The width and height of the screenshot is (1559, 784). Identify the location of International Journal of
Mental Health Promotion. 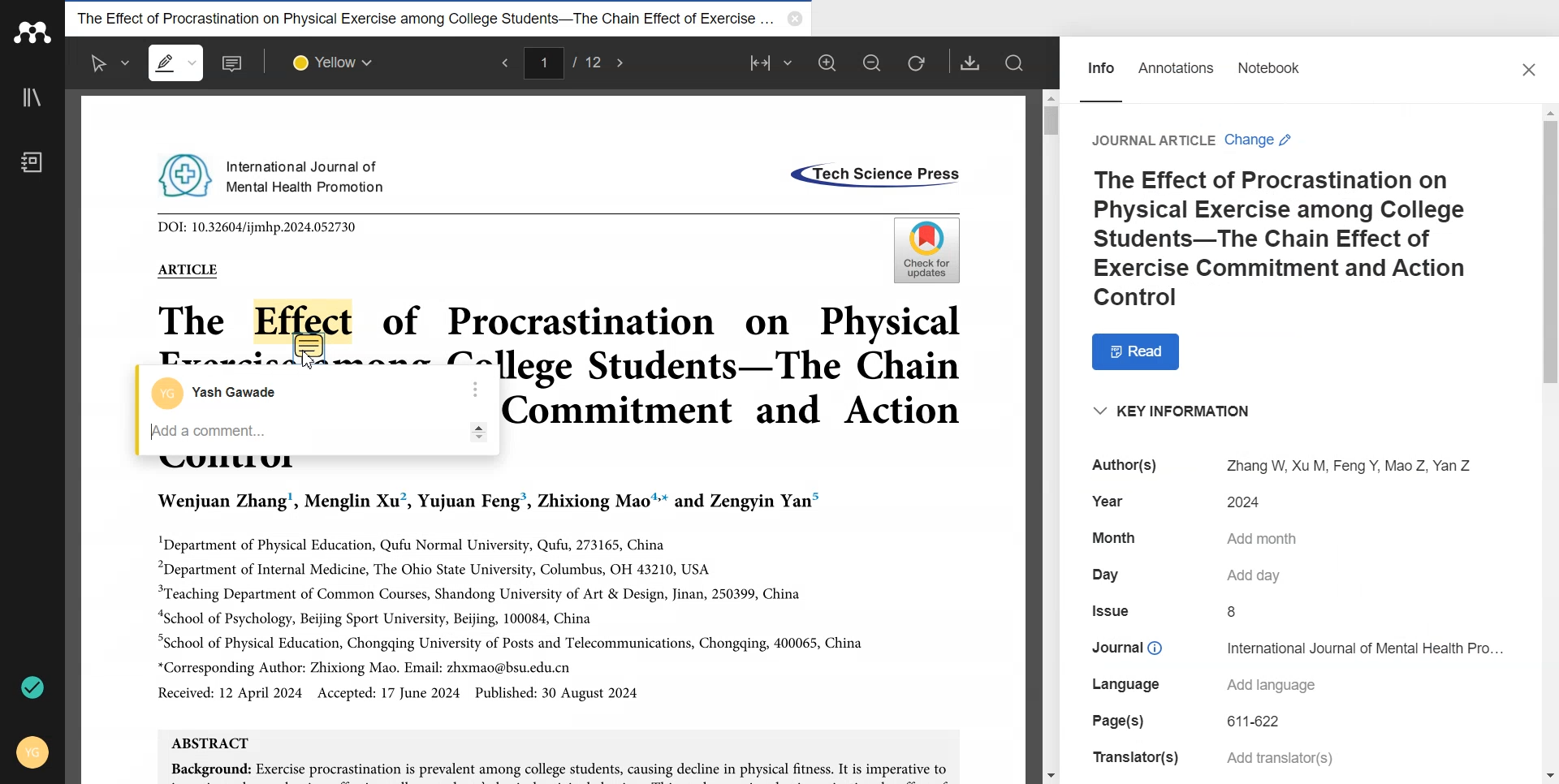
(274, 174).